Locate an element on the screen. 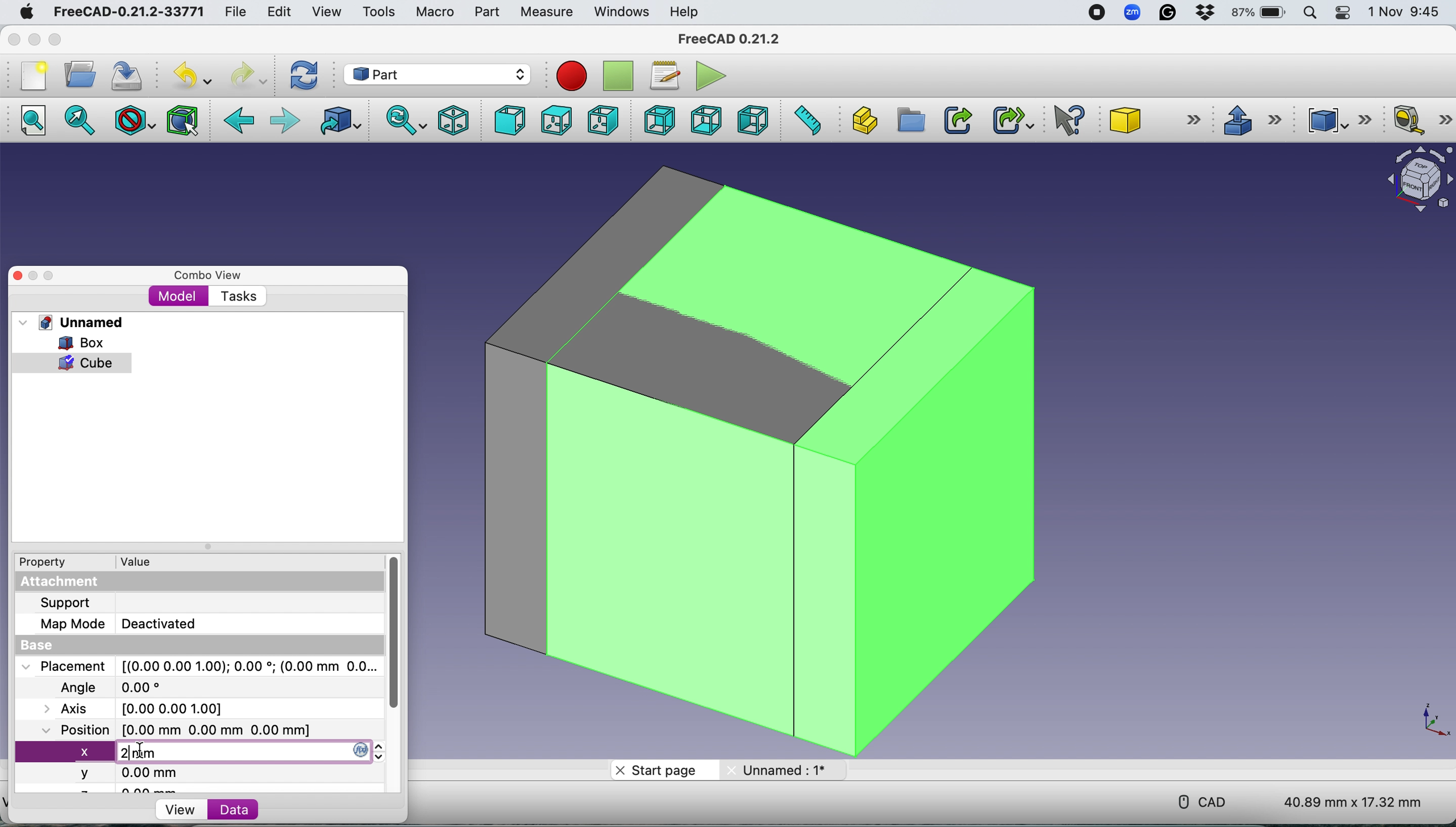 This screenshot has height=827, width=1456. FreeCAD 0.21.2 is located at coordinates (731, 40).